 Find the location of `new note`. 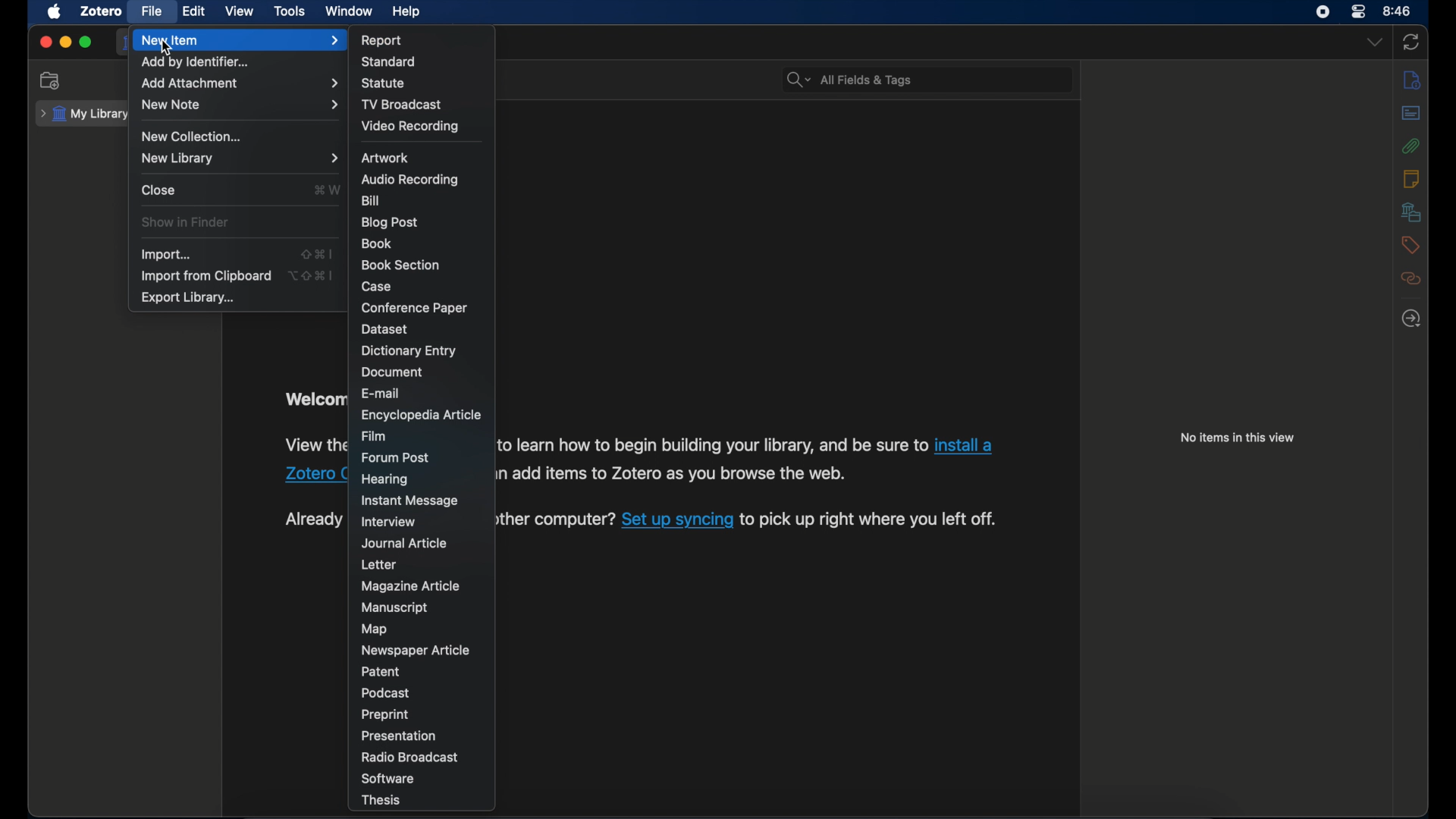

new note is located at coordinates (238, 105).